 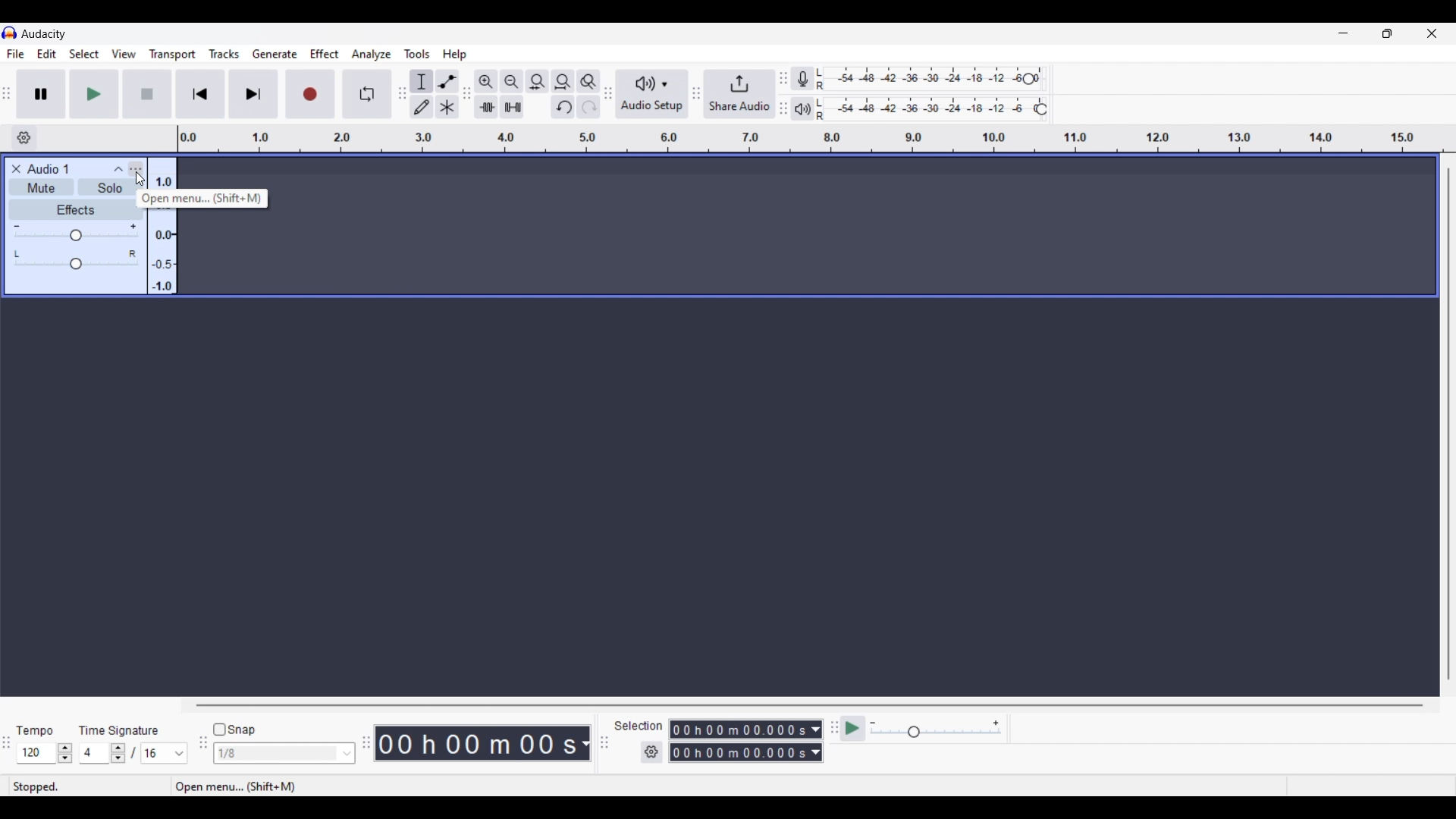 I want to click on Slider to change playback speed, so click(x=936, y=733).